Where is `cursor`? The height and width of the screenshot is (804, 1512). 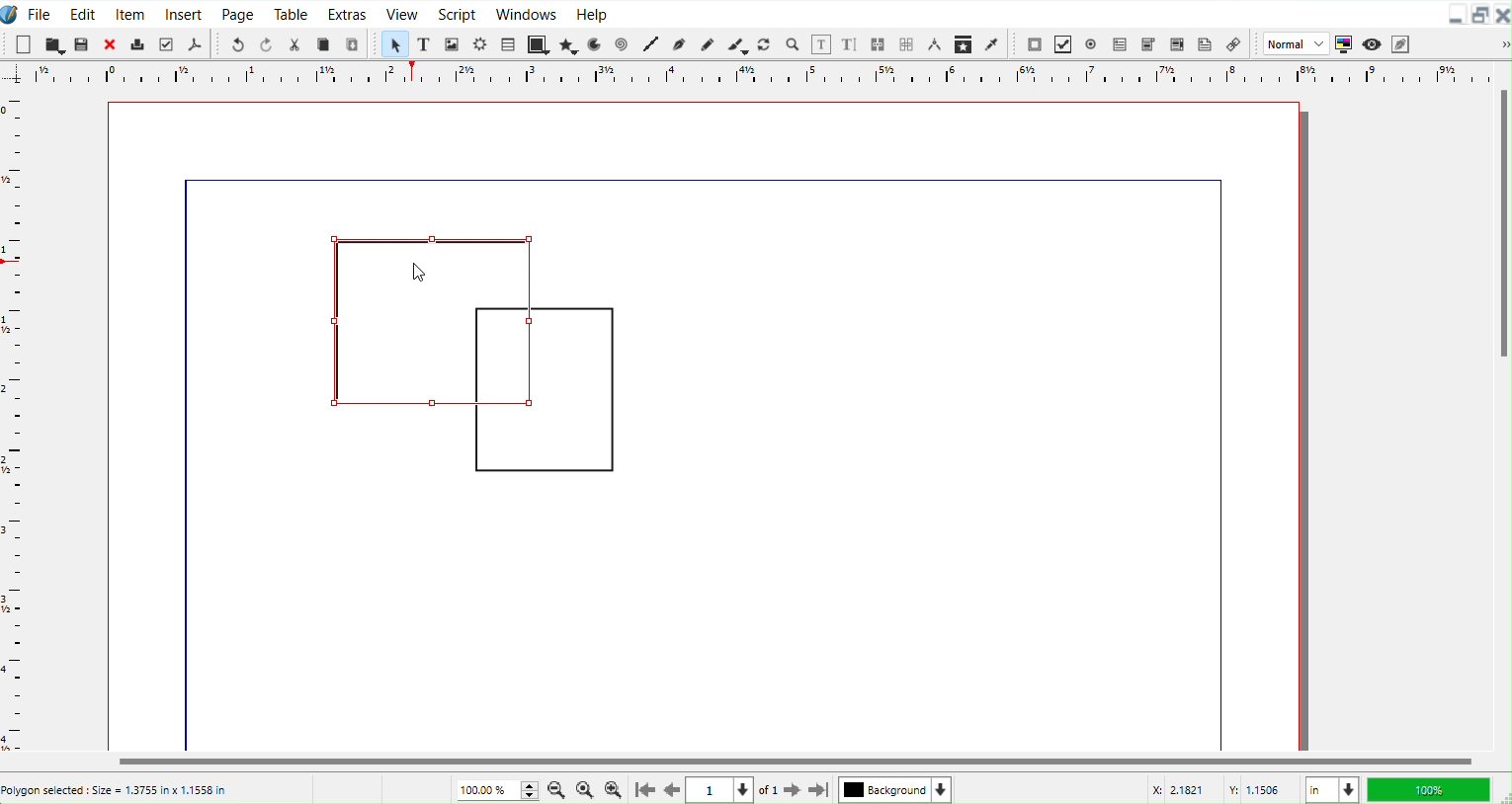
cursor is located at coordinates (418, 272).